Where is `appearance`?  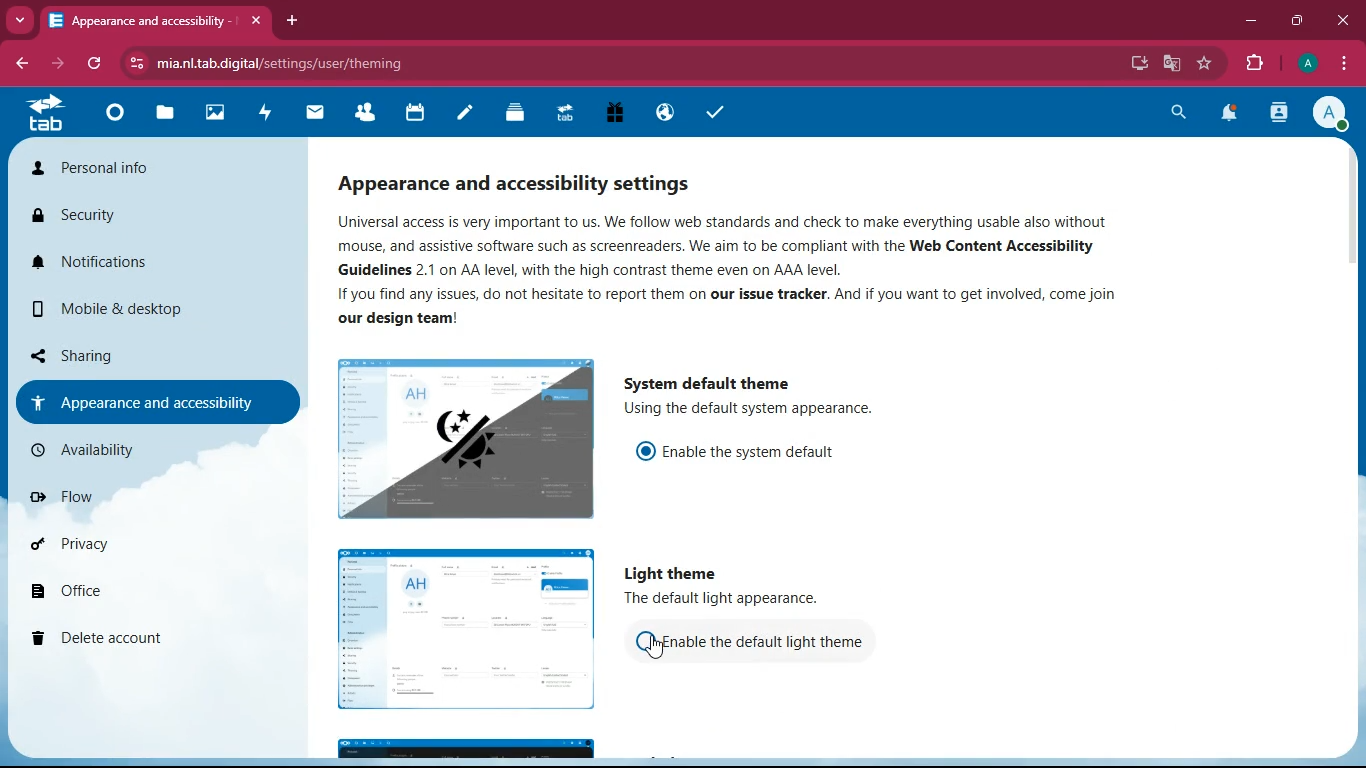 appearance is located at coordinates (162, 400).